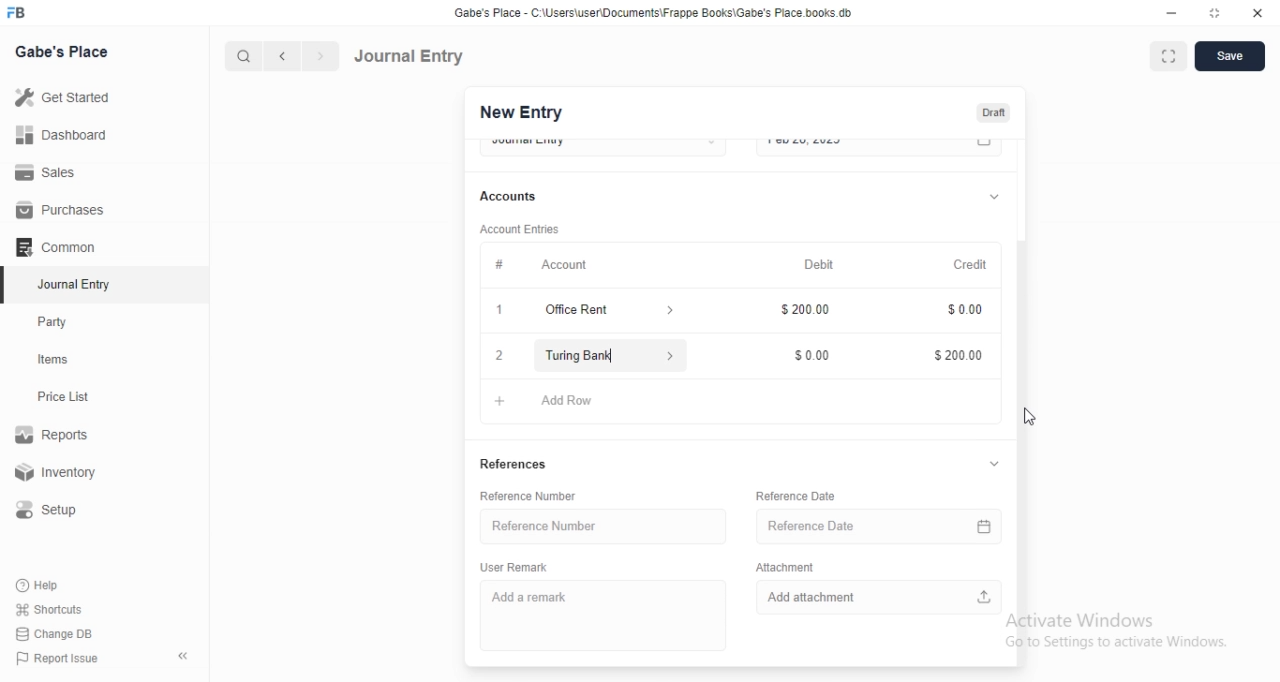  What do you see at coordinates (57, 322) in the screenshot?
I see `Party` at bounding box center [57, 322].